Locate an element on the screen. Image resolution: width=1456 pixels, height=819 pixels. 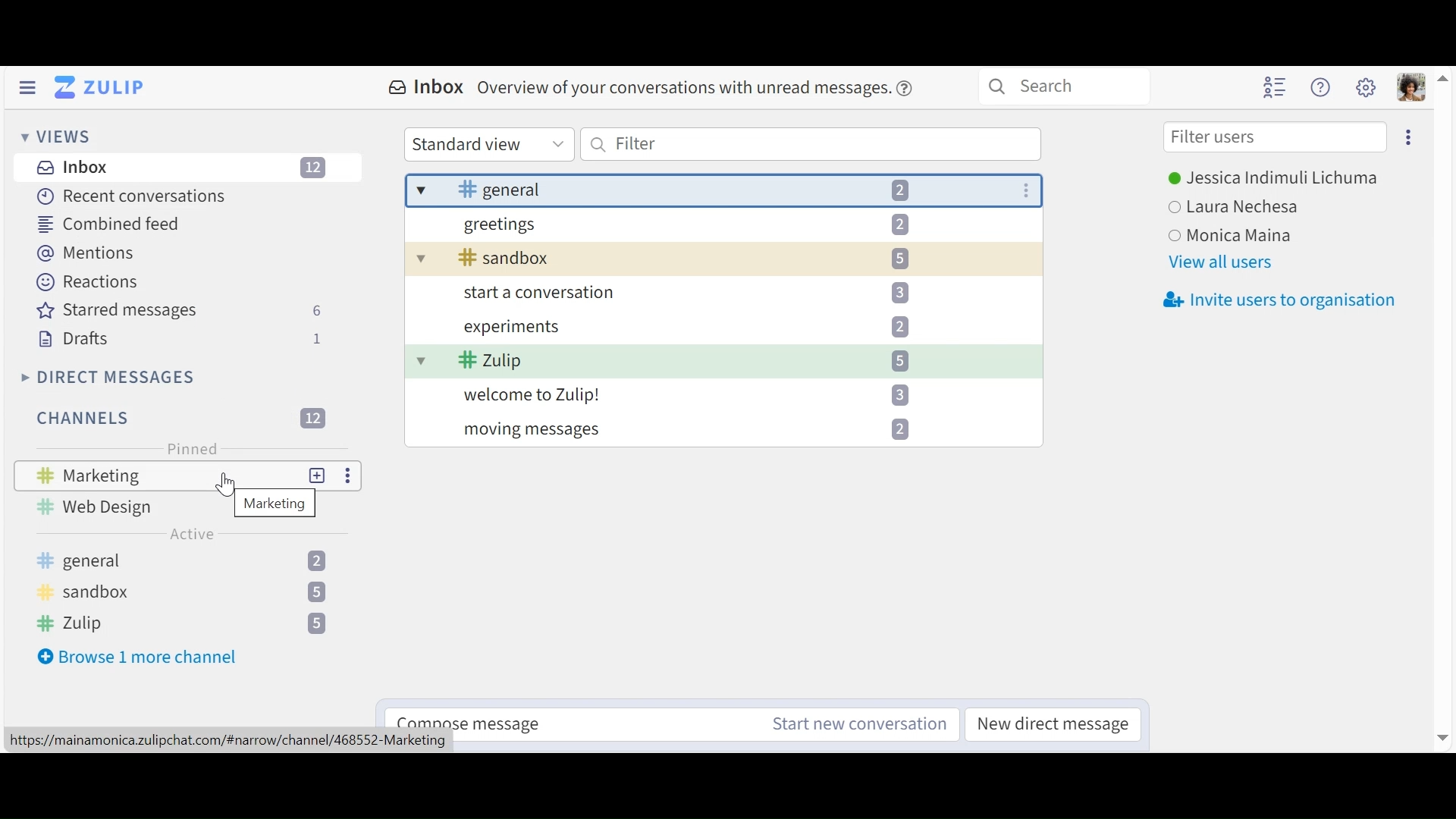
start a conversation is located at coordinates (714, 296).